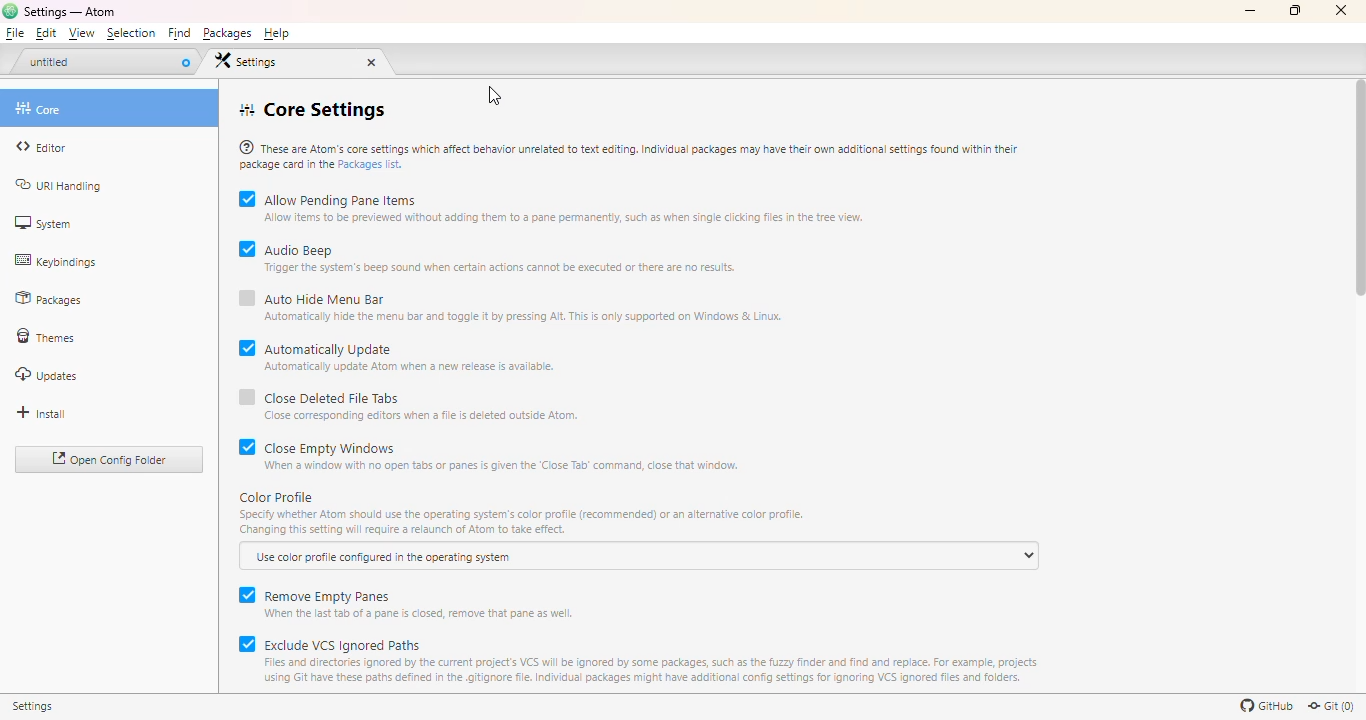 The width and height of the screenshot is (1366, 720). What do you see at coordinates (283, 61) in the screenshot?
I see `settings view` at bounding box center [283, 61].